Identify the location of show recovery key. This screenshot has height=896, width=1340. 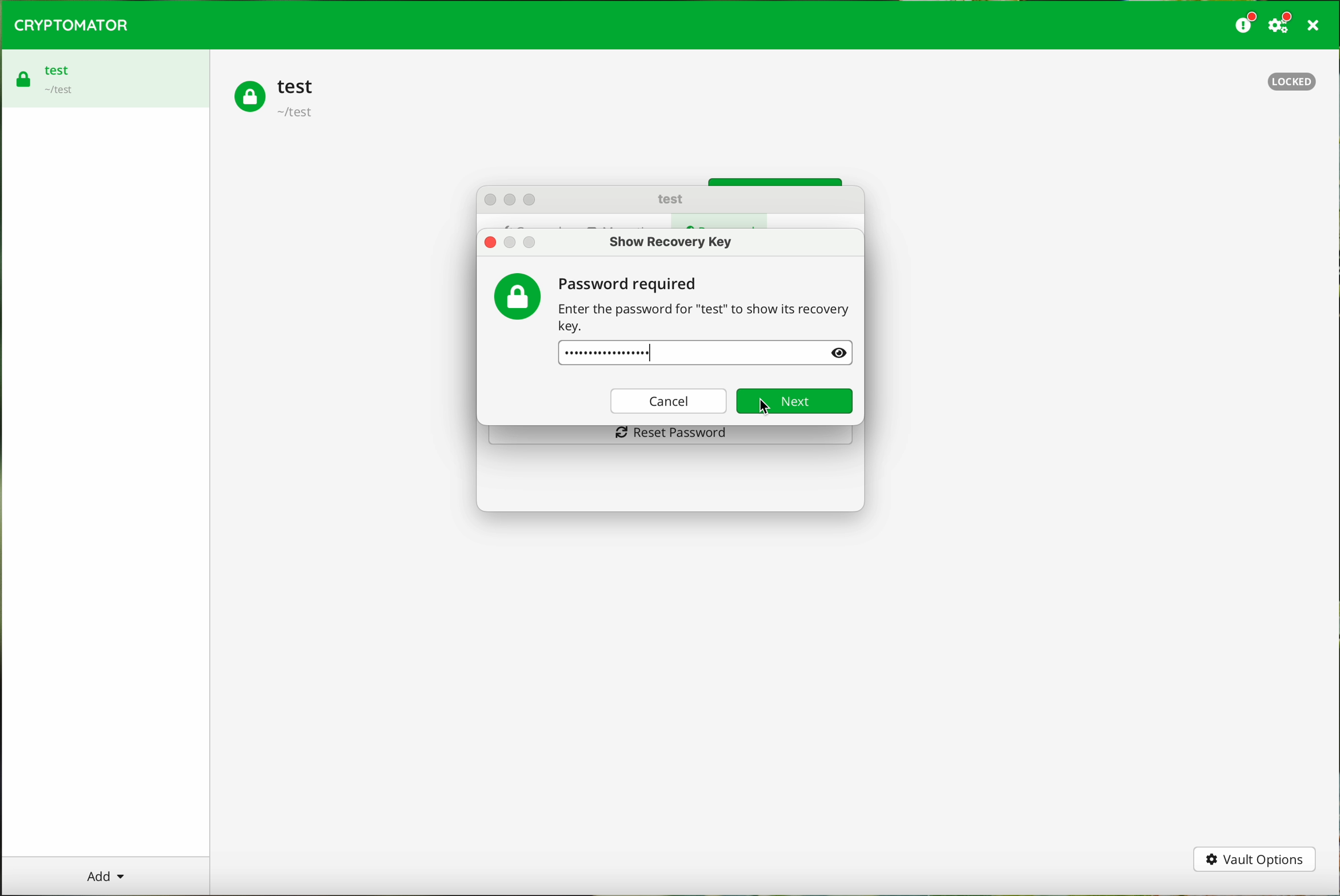
(669, 244).